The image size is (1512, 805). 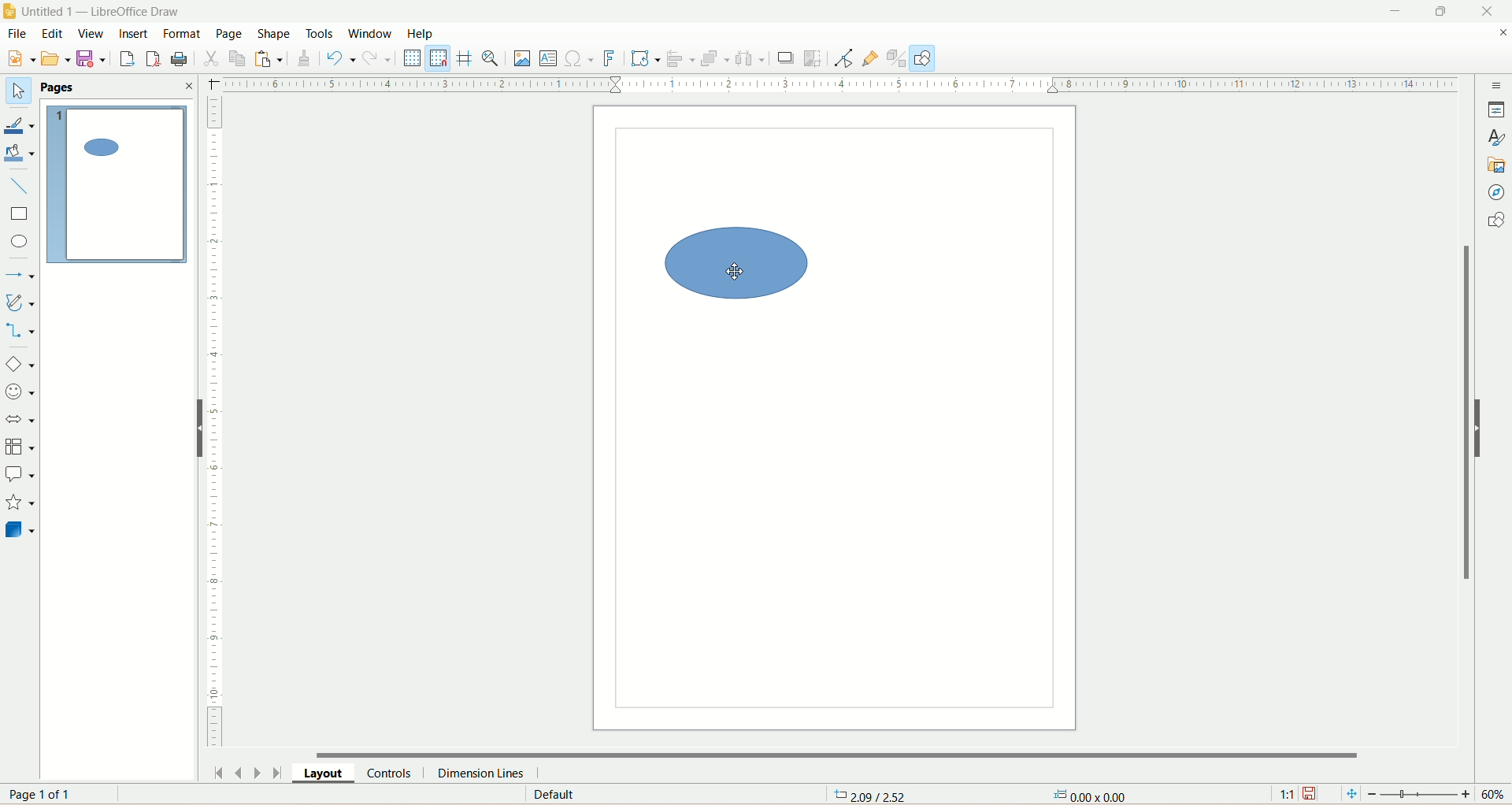 I want to click on select, so click(x=19, y=91).